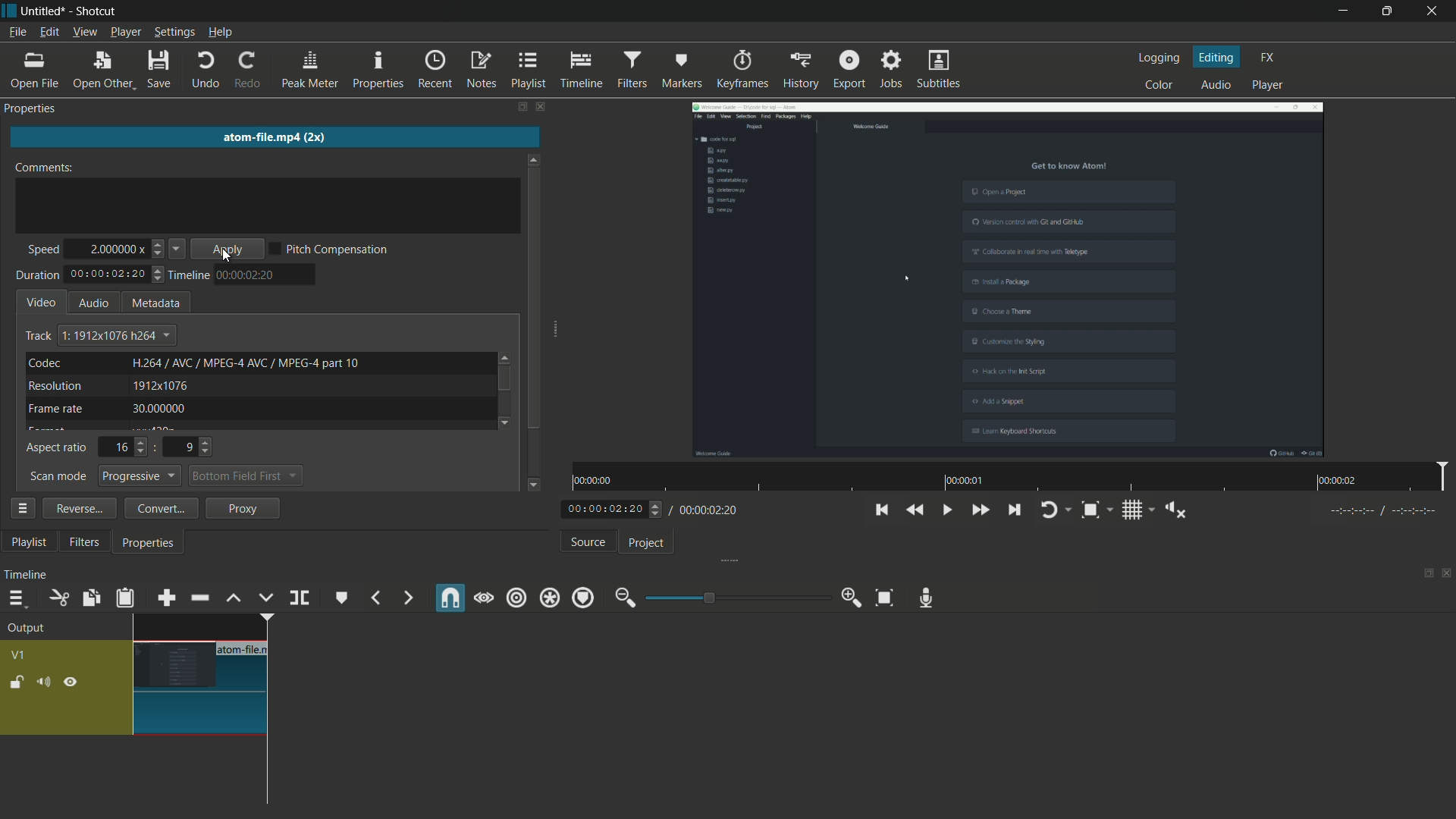 Image resolution: width=1456 pixels, height=819 pixels. I want to click on Properties, so click(37, 108).